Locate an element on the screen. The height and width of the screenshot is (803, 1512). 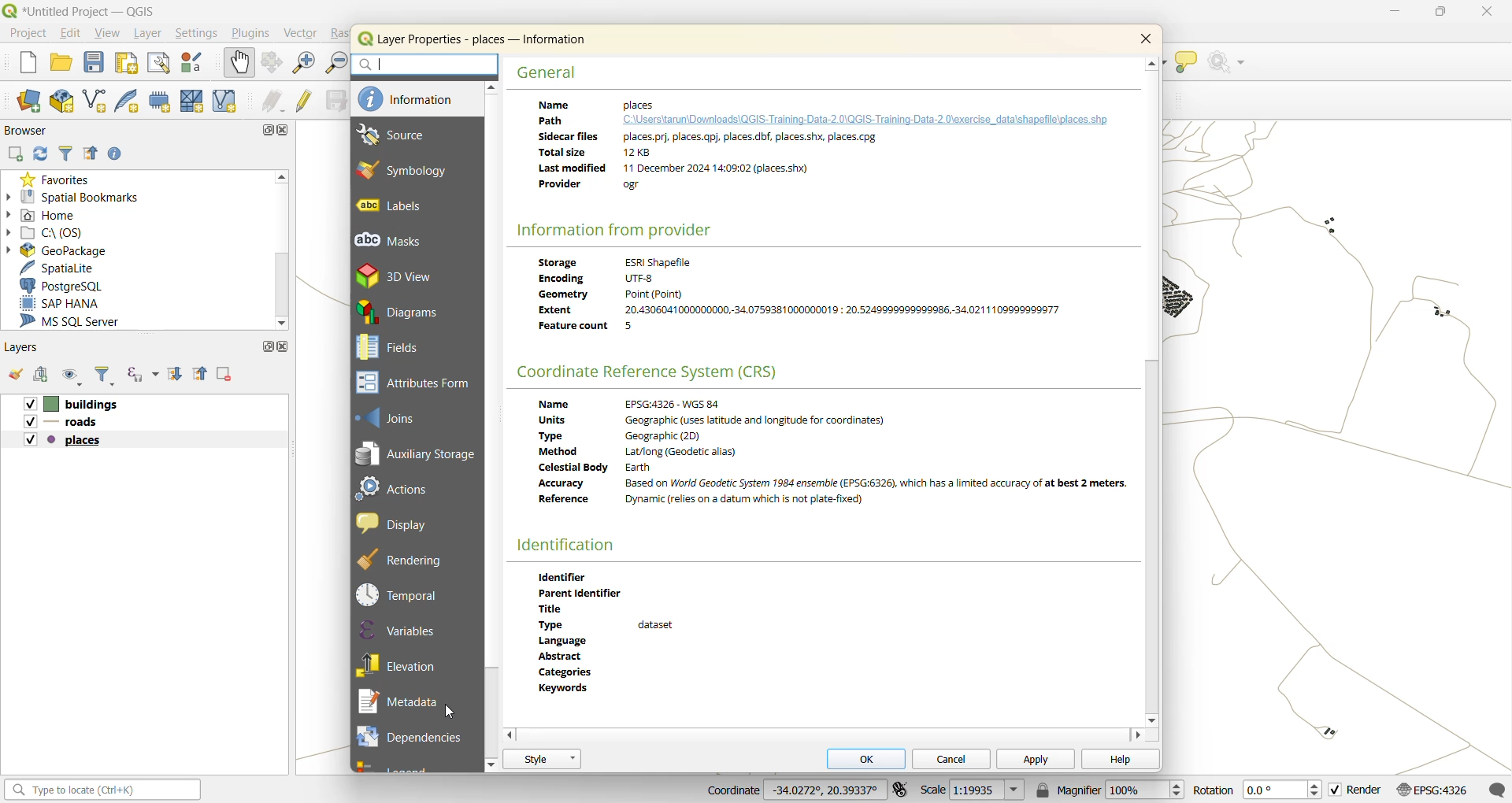
metadata is located at coordinates (404, 703).